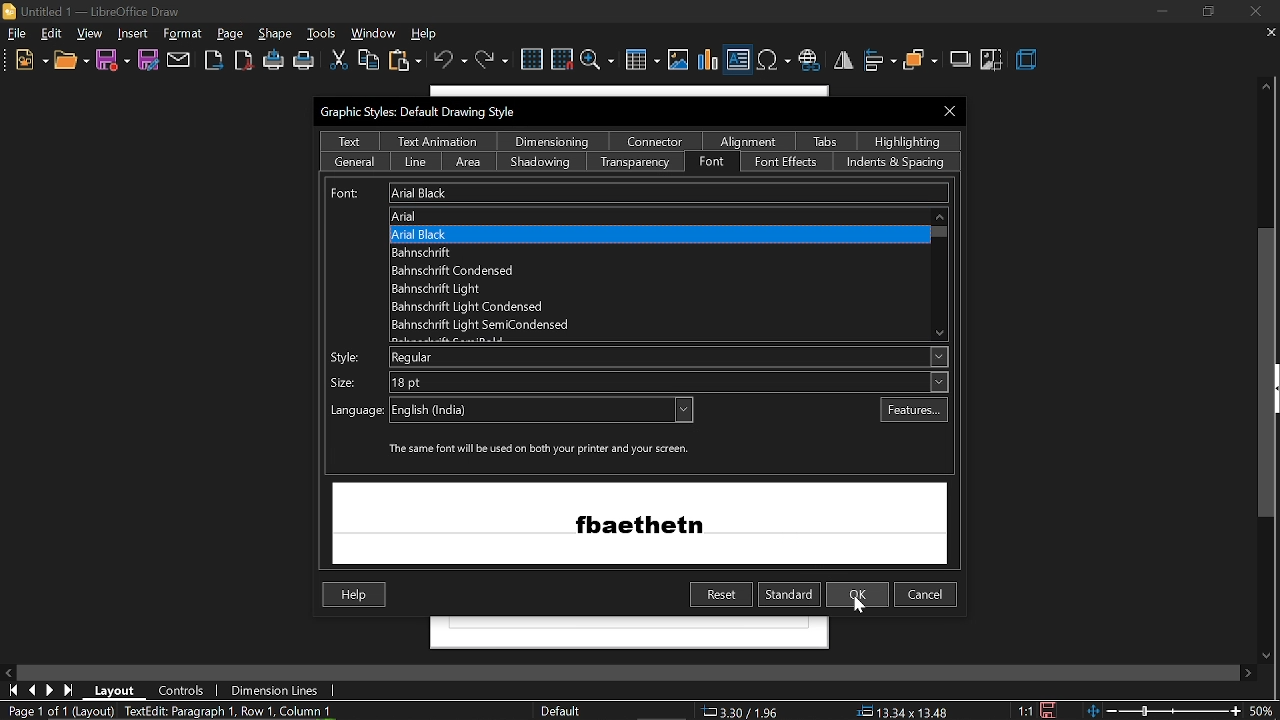  I want to click on ok, so click(858, 595).